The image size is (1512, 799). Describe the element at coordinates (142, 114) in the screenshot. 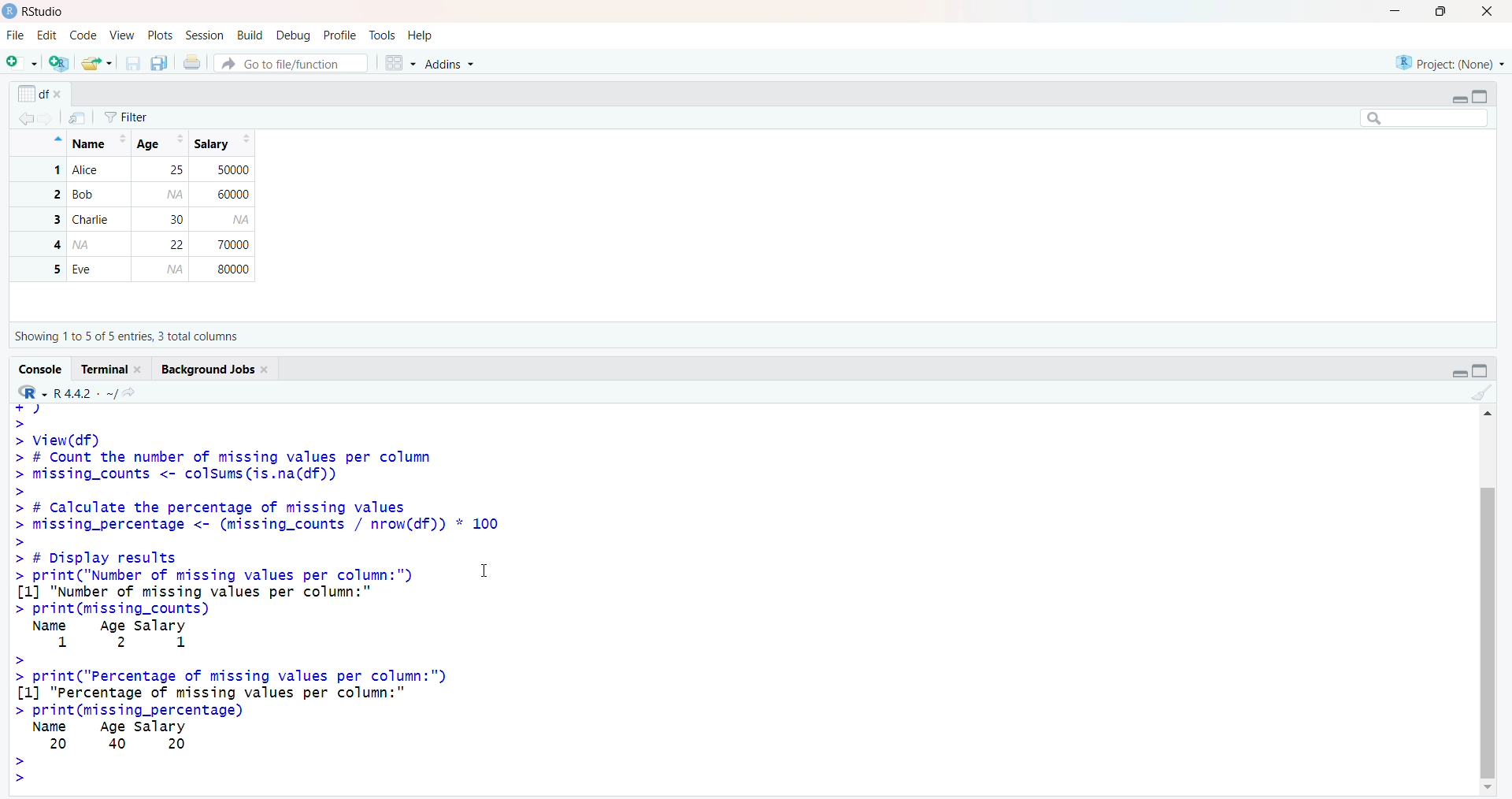

I see `Filter` at that location.